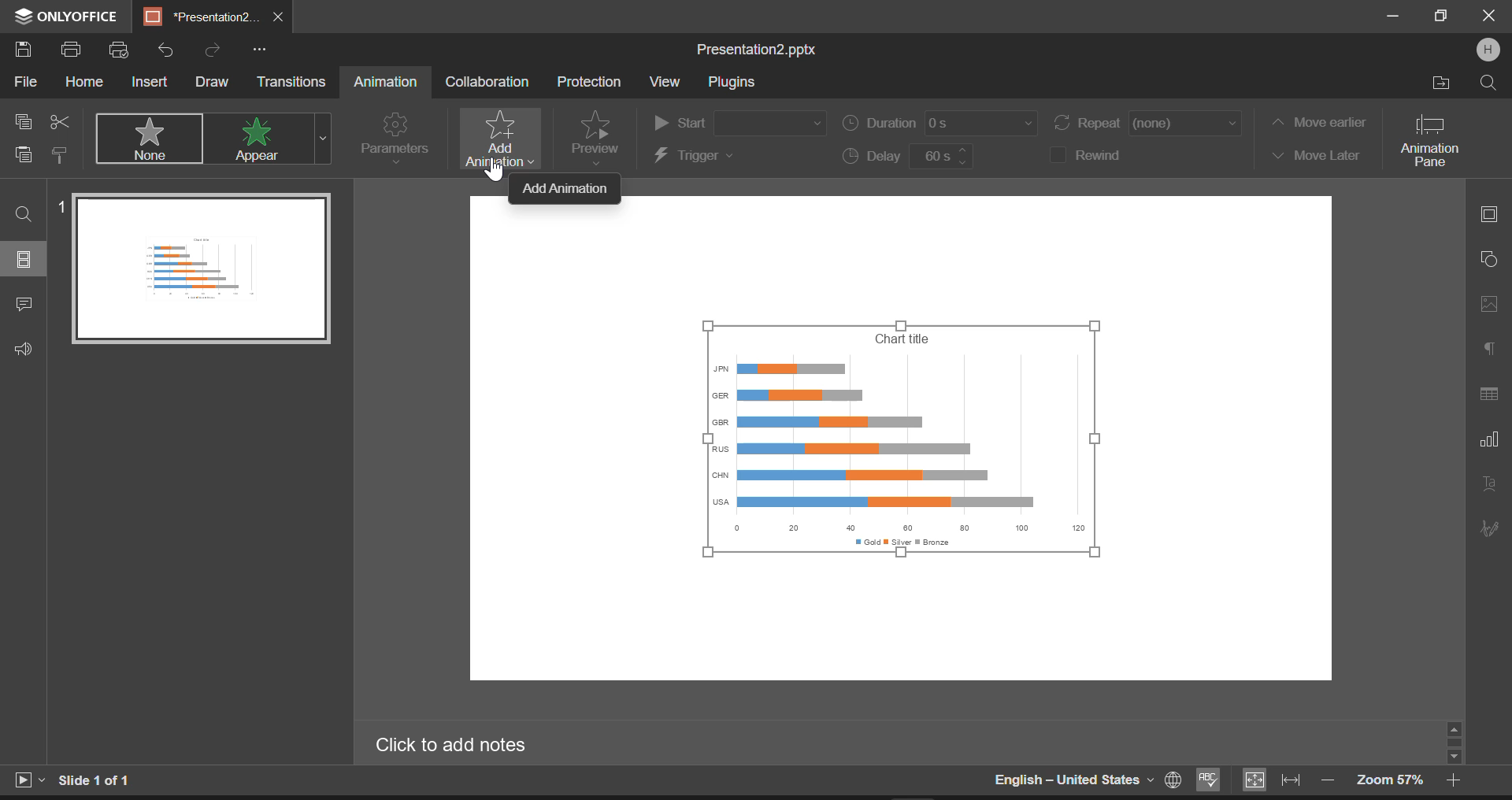 Image resolution: width=1512 pixels, height=800 pixels. Describe the element at coordinates (195, 268) in the screenshot. I see `Slide 1` at that location.